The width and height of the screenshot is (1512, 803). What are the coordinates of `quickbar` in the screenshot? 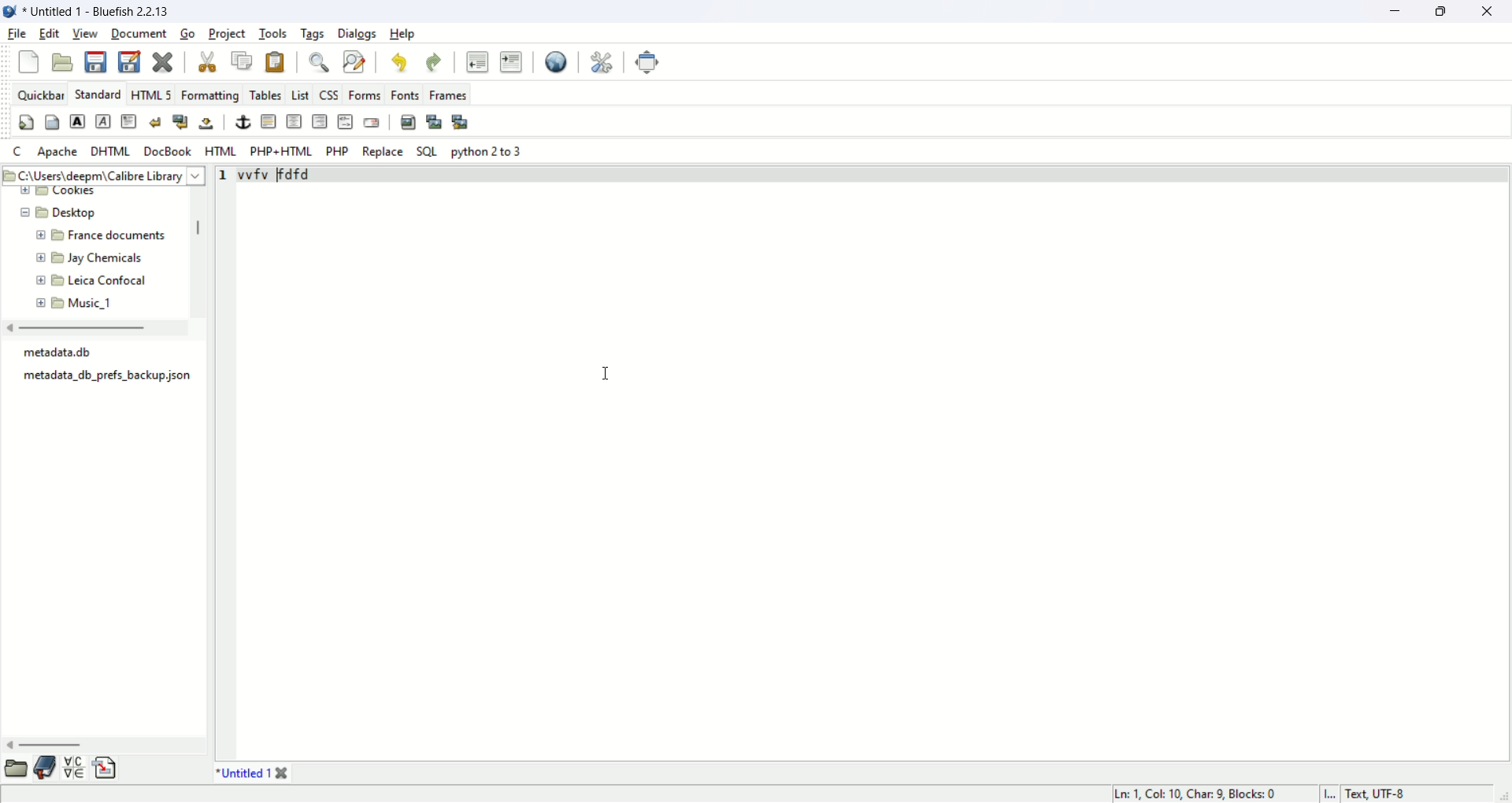 It's located at (42, 96).